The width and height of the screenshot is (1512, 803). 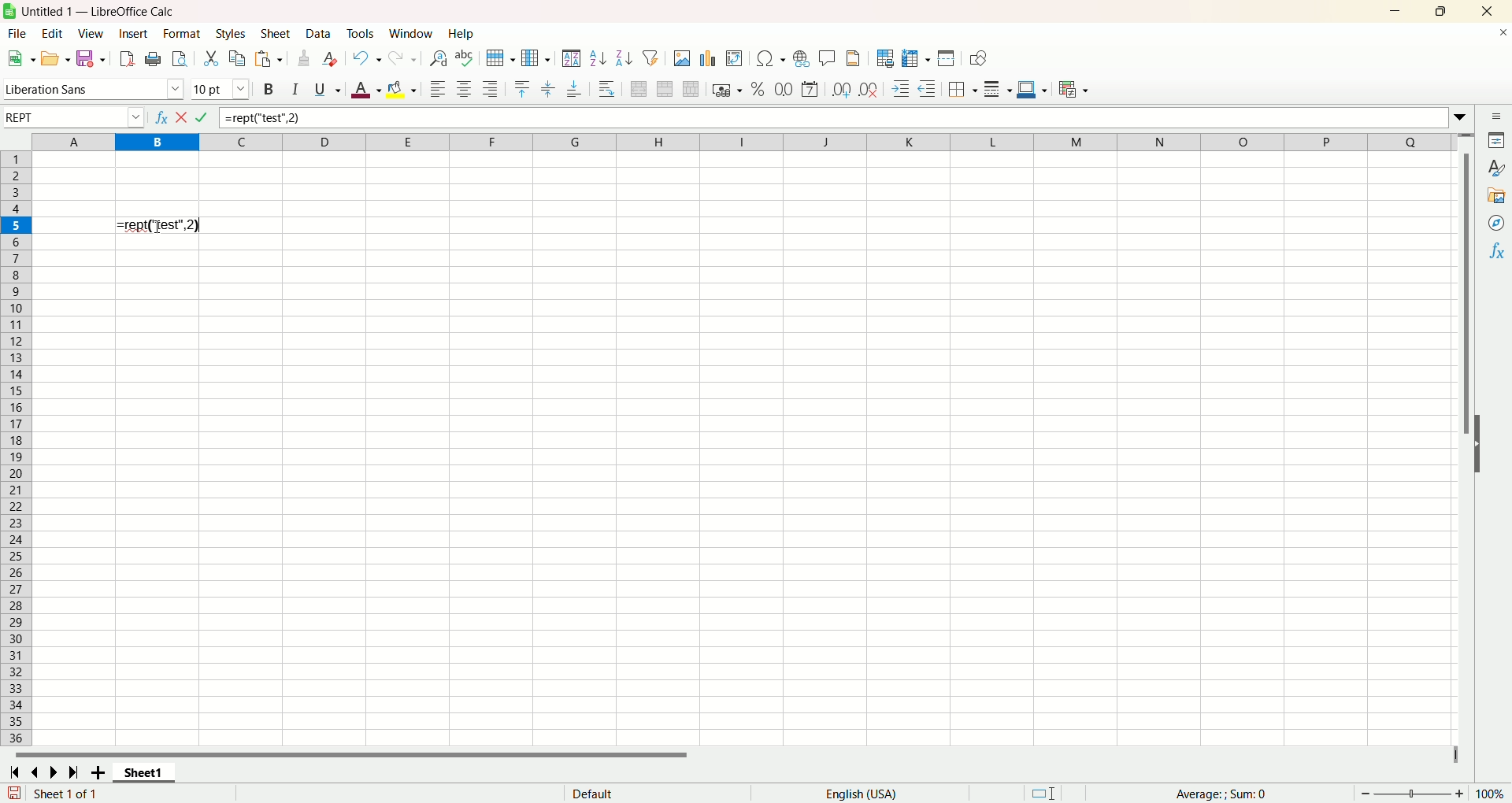 I want to click on rows, so click(x=17, y=450).